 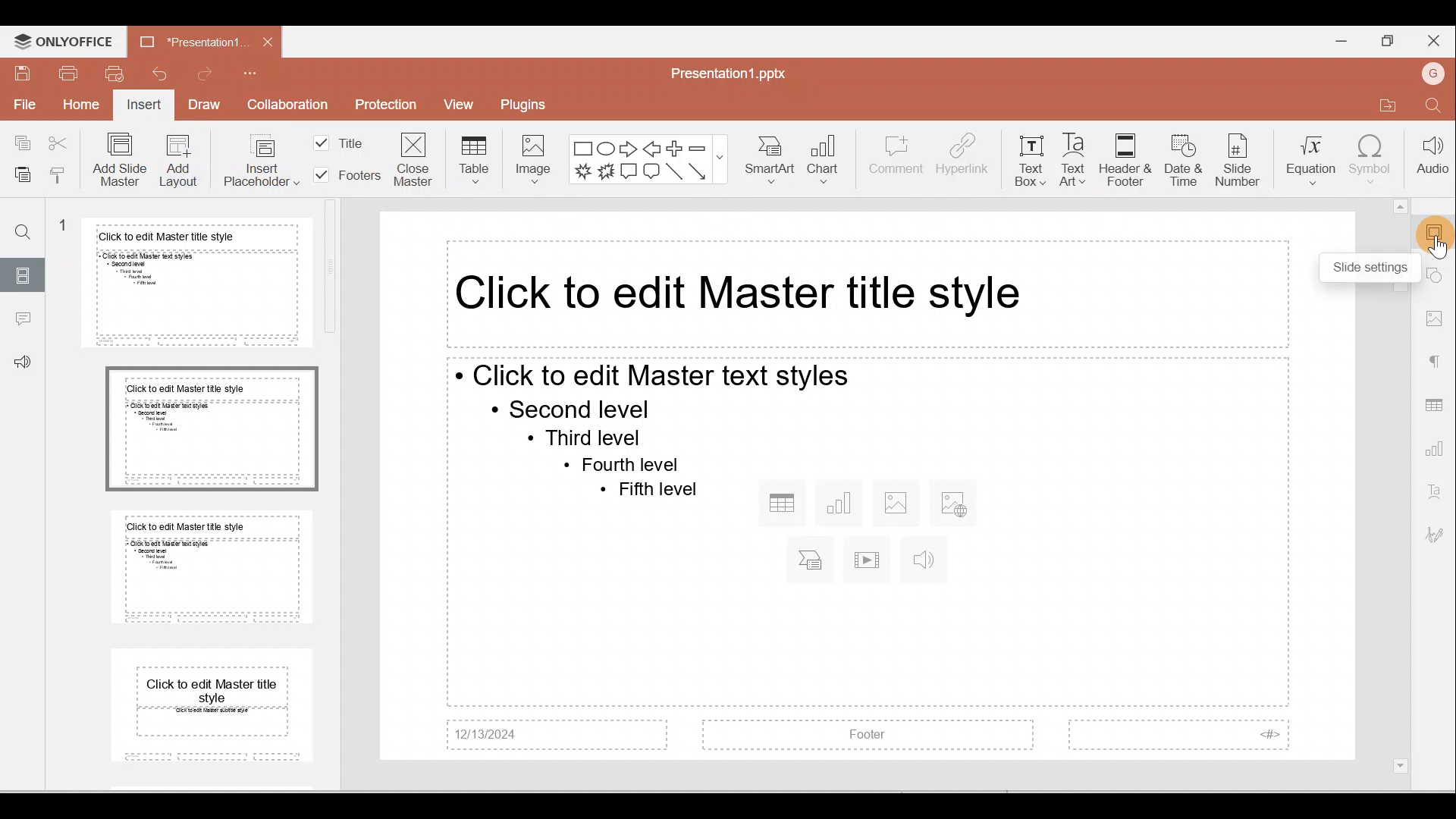 What do you see at coordinates (1437, 538) in the screenshot?
I see `Signature settings` at bounding box center [1437, 538].